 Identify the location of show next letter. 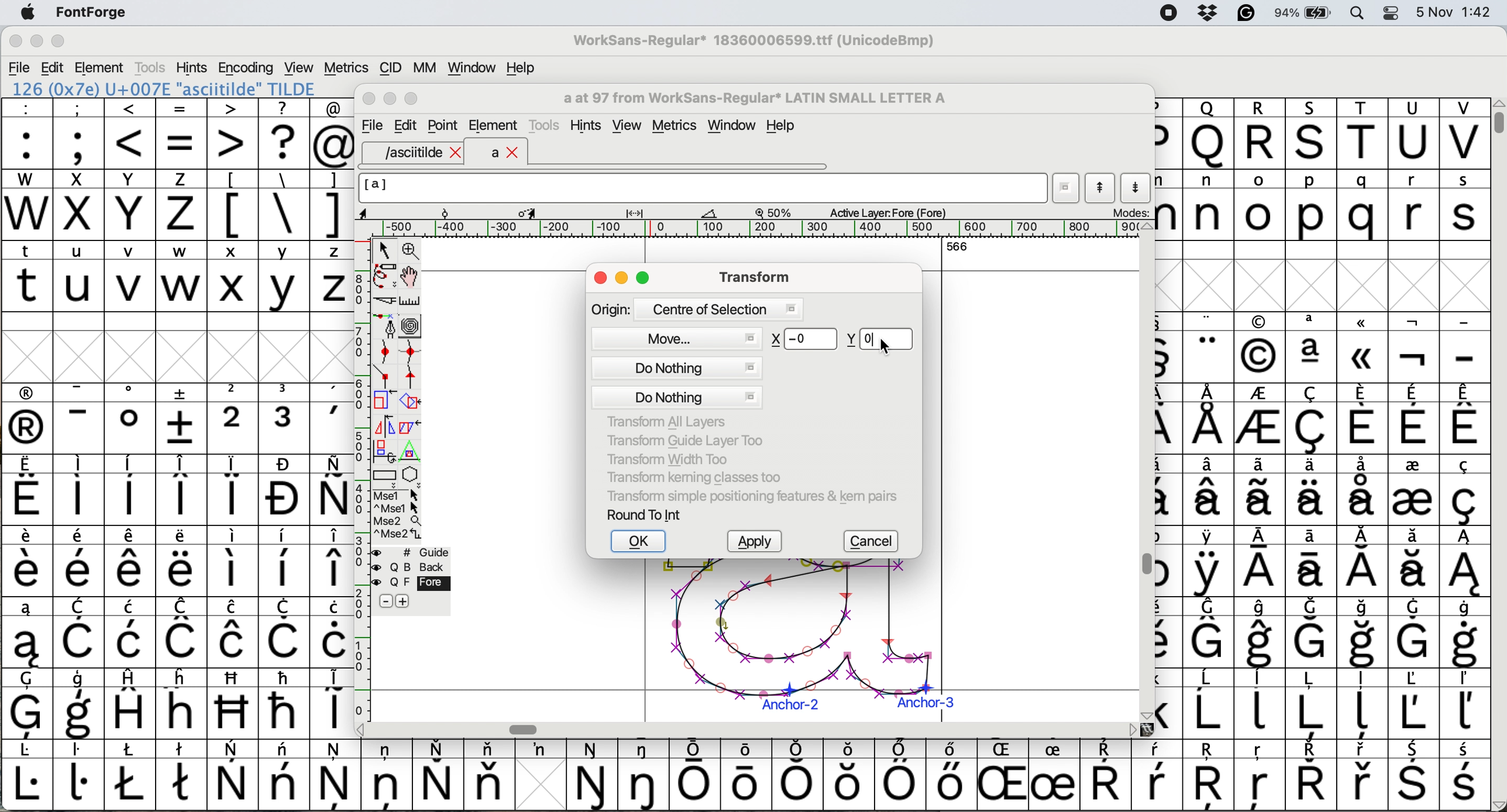
(1138, 187).